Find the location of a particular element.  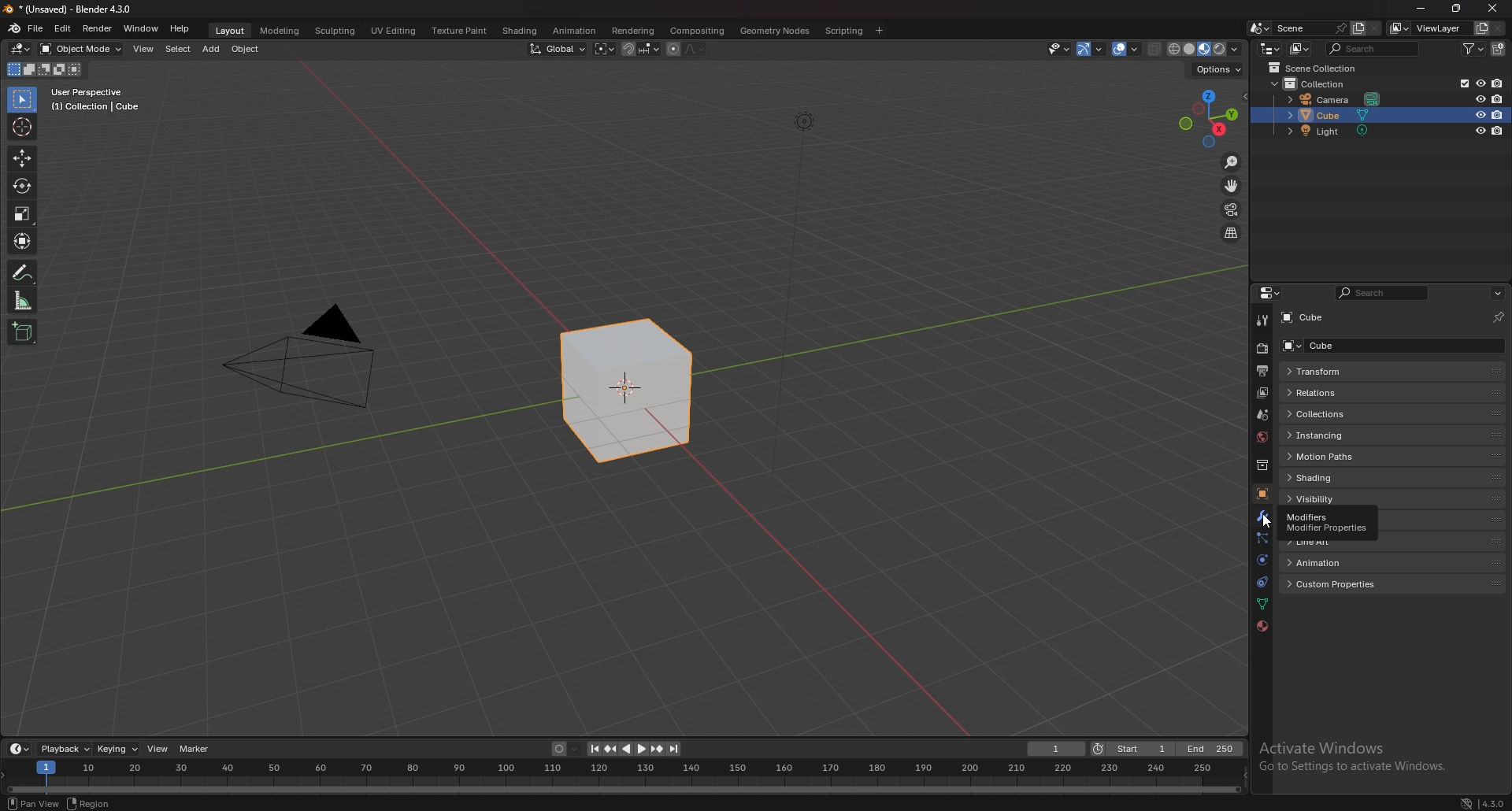

add cube is located at coordinates (21, 332).